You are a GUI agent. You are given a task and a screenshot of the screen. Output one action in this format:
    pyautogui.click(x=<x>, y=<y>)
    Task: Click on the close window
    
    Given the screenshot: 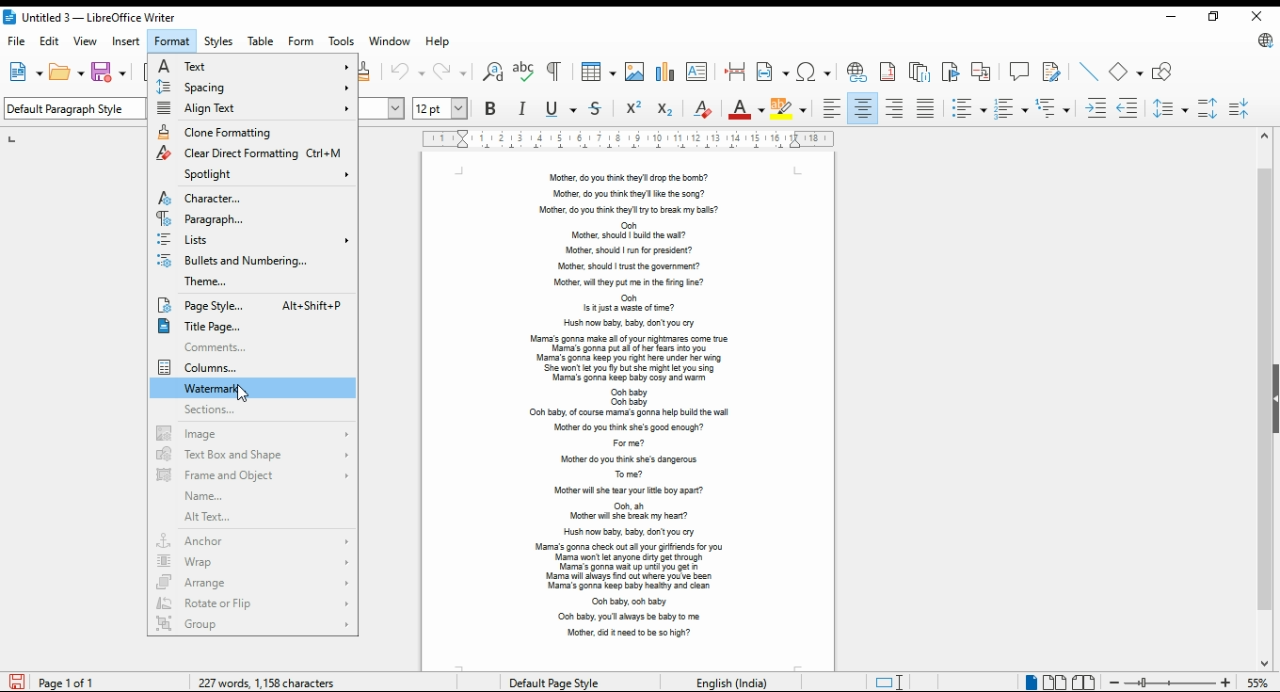 What is the action you would take?
    pyautogui.click(x=1260, y=18)
    